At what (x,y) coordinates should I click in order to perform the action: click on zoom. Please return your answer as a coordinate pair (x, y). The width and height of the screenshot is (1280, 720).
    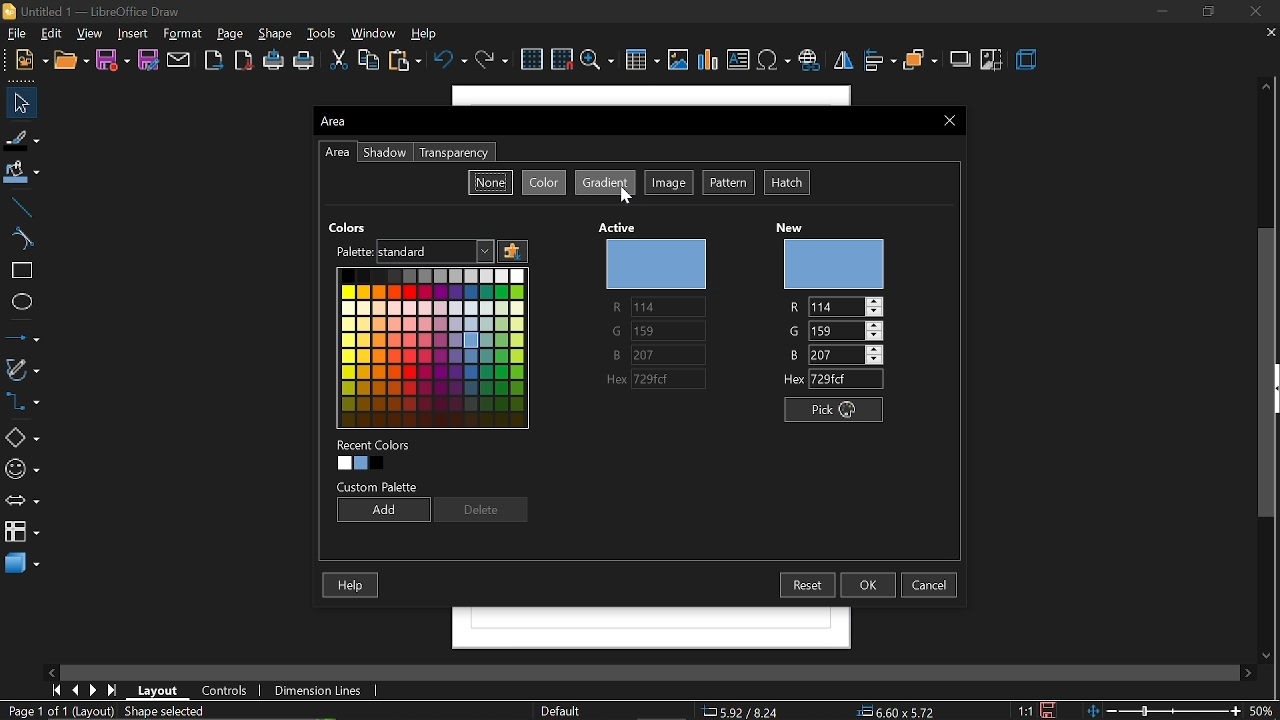
    Looking at the image, I should click on (598, 61).